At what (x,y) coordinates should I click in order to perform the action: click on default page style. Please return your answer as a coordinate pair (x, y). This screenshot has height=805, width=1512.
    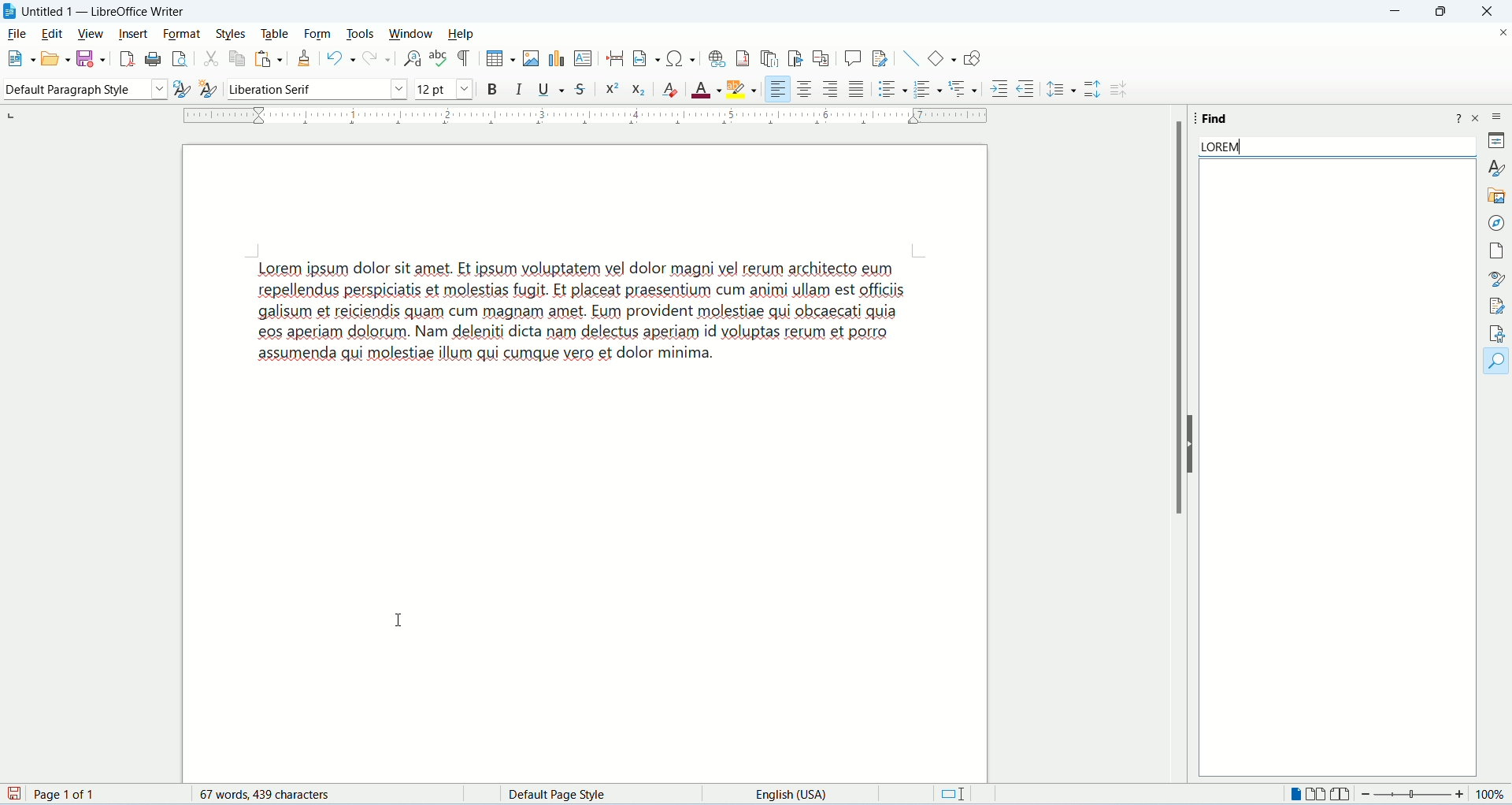
    Looking at the image, I should click on (563, 794).